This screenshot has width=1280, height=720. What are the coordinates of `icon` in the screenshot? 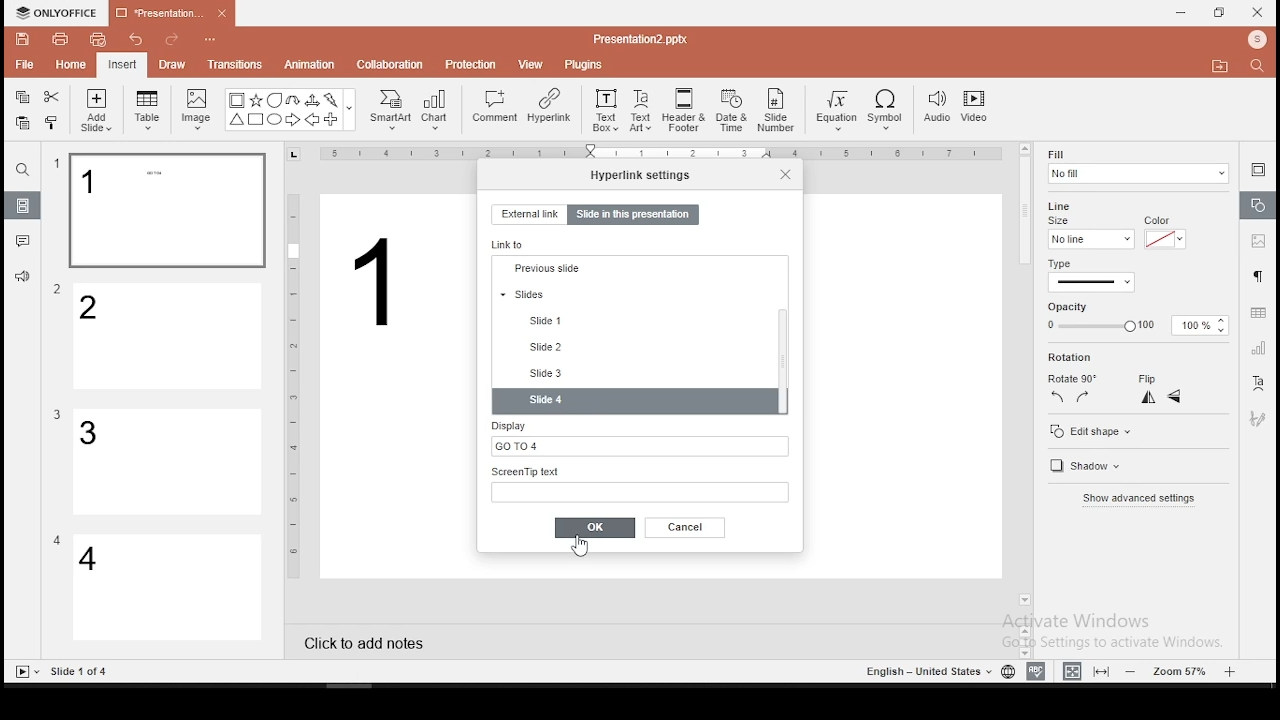 It's located at (60, 13).